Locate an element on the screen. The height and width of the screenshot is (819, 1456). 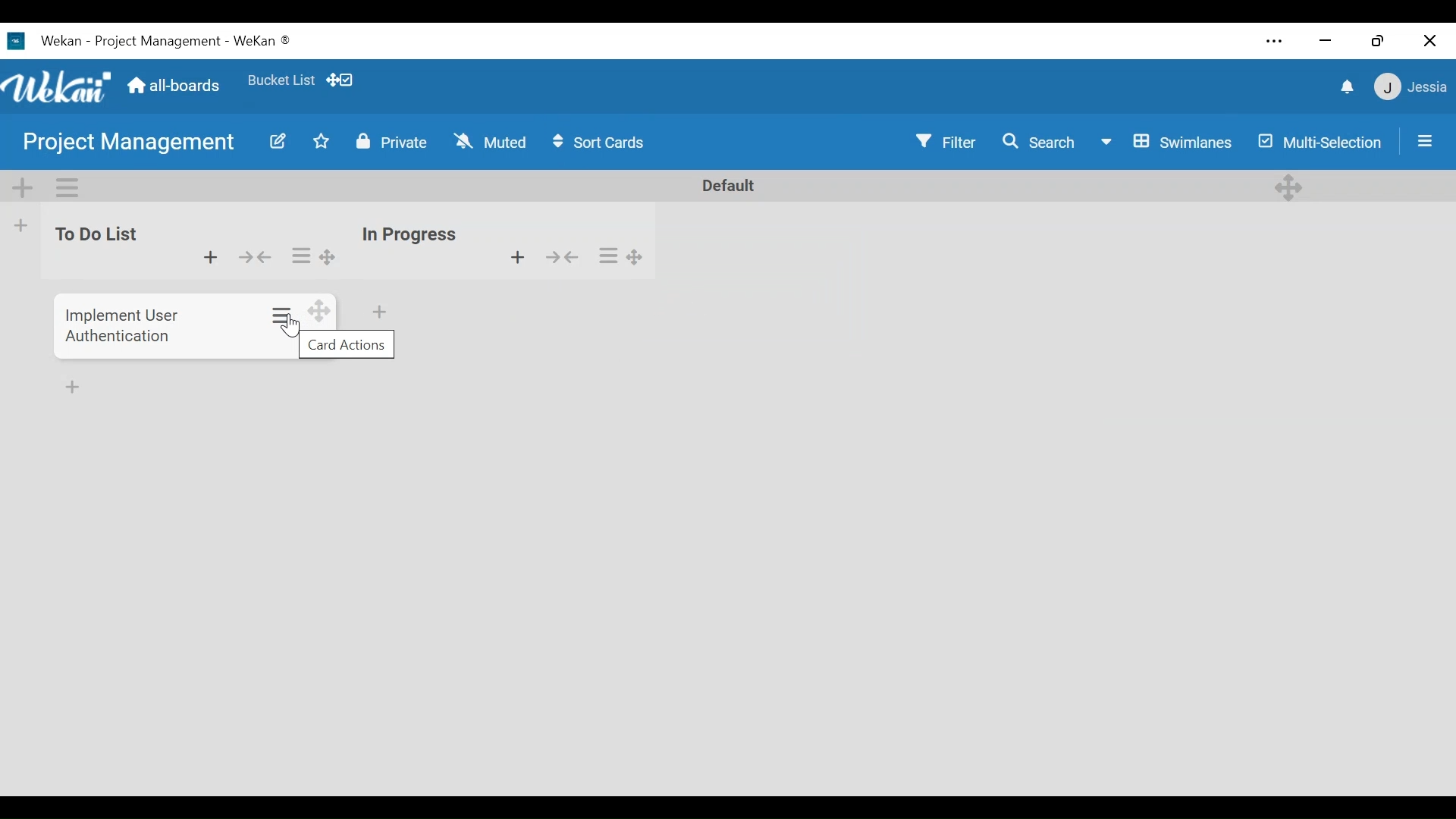
Wekan Desktop Icon is located at coordinates (149, 42).